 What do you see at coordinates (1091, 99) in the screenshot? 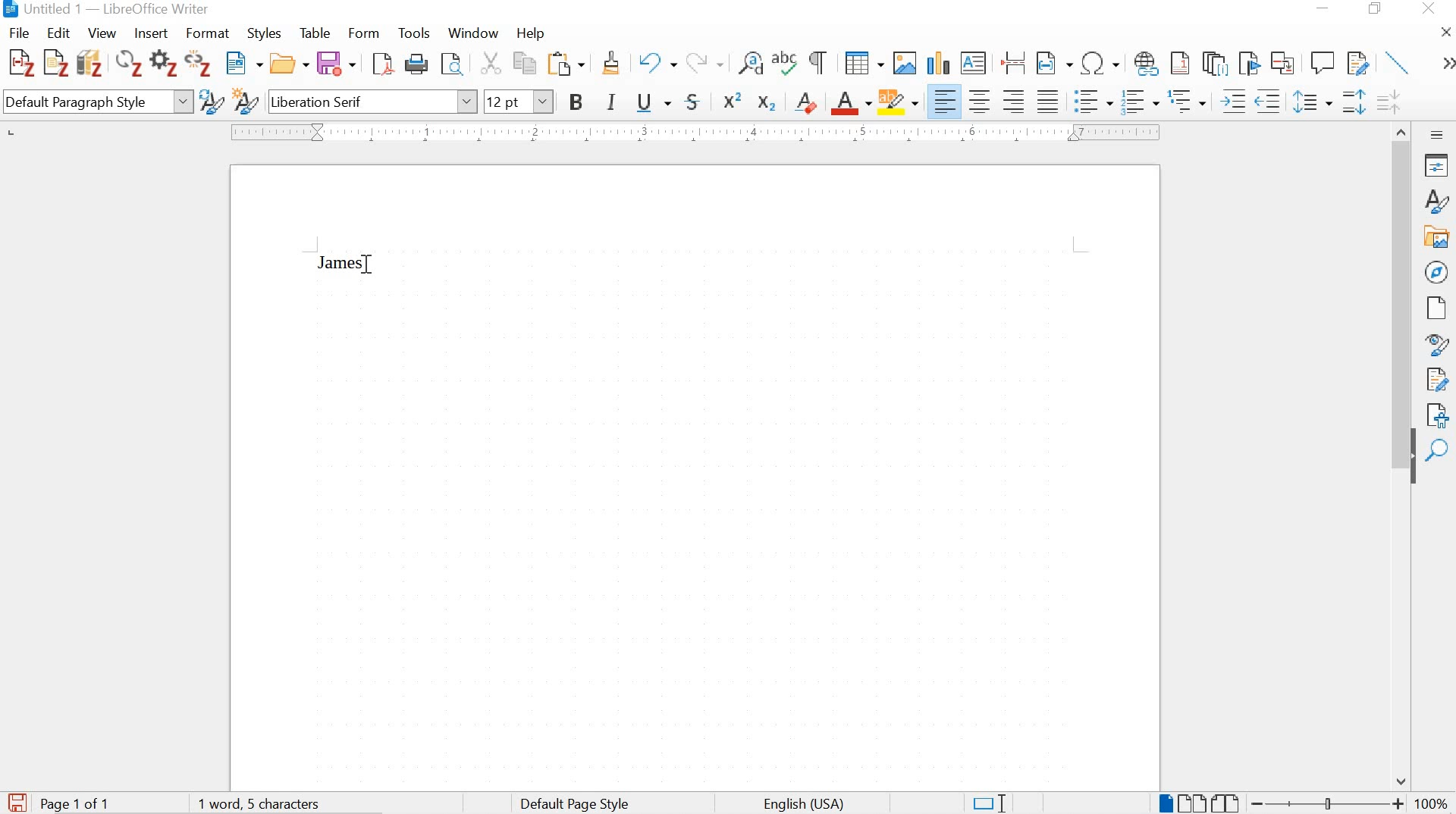
I see `Toggle unorder list` at bounding box center [1091, 99].